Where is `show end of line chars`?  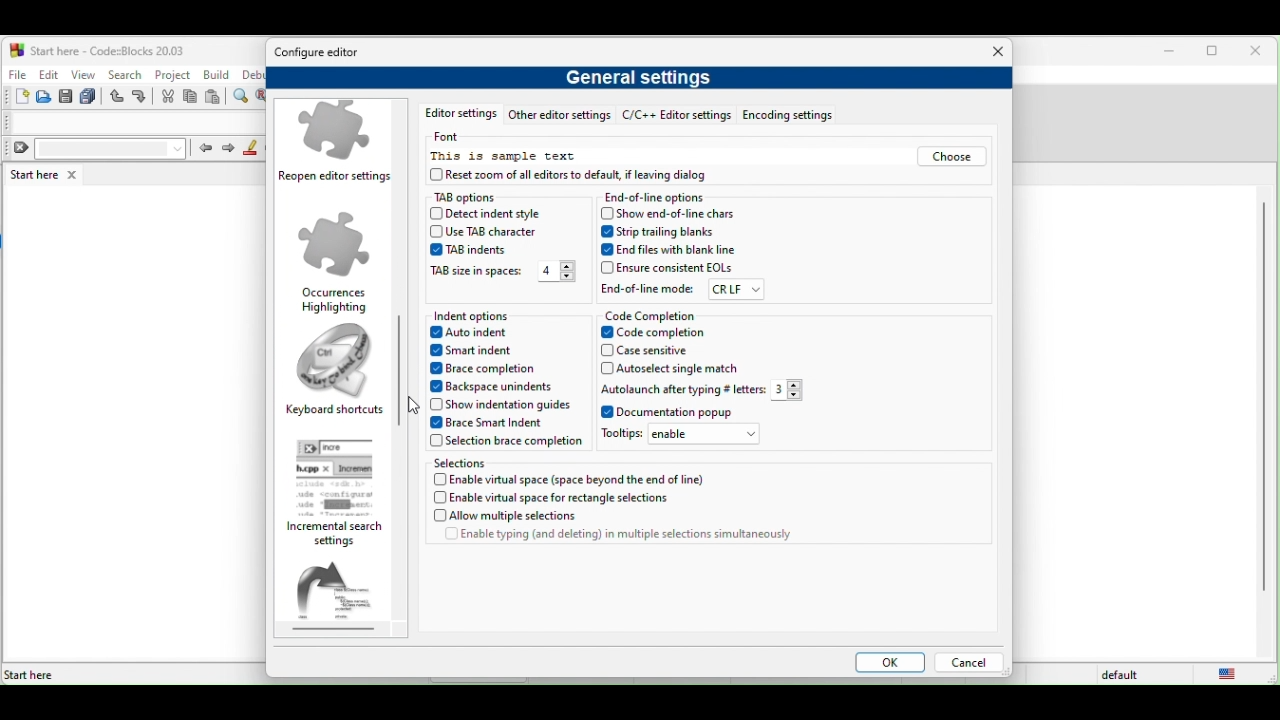
show end of line chars is located at coordinates (672, 213).